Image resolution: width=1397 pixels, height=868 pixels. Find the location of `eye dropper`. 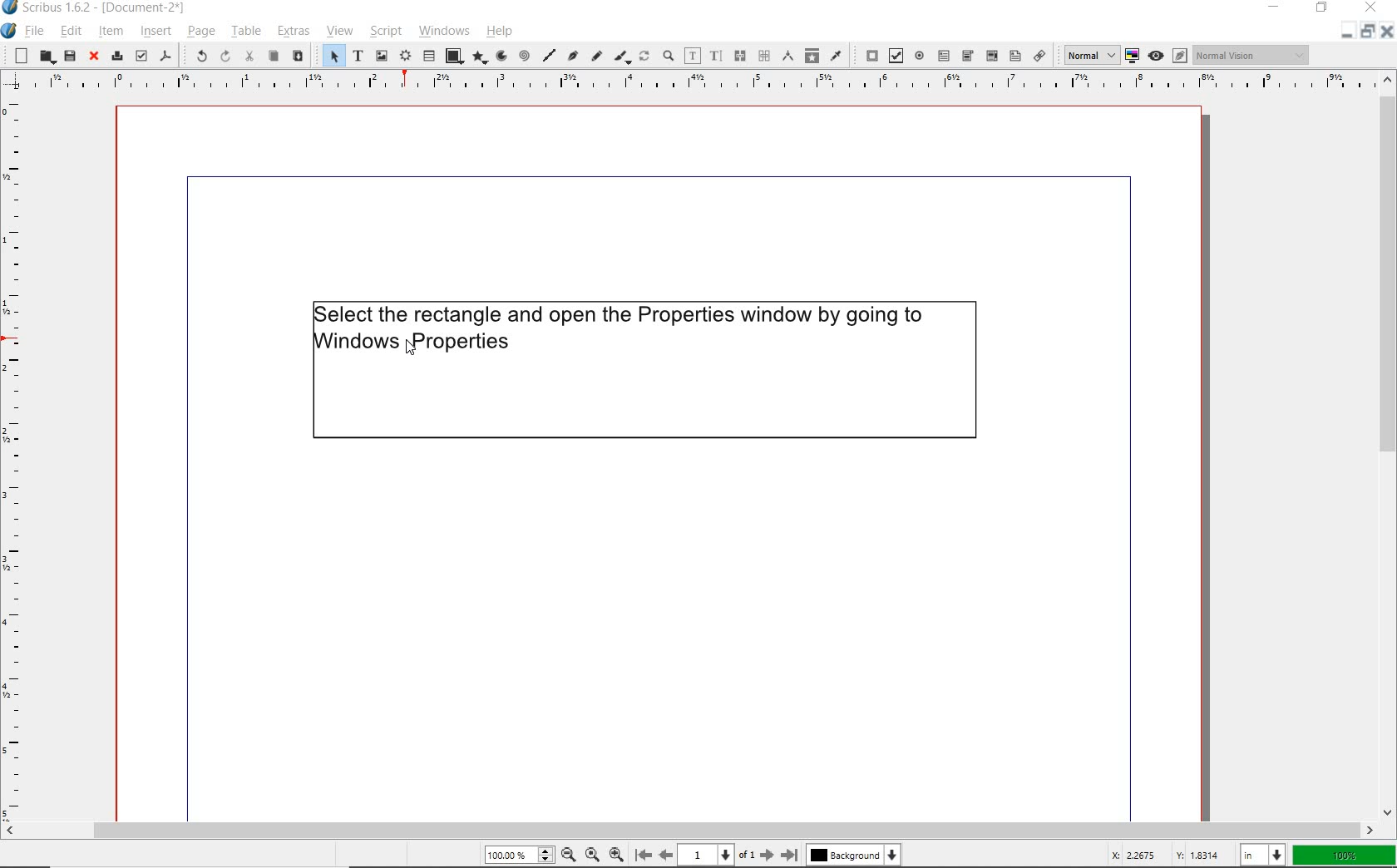

eye dropper is located at coordinates (837, 55).